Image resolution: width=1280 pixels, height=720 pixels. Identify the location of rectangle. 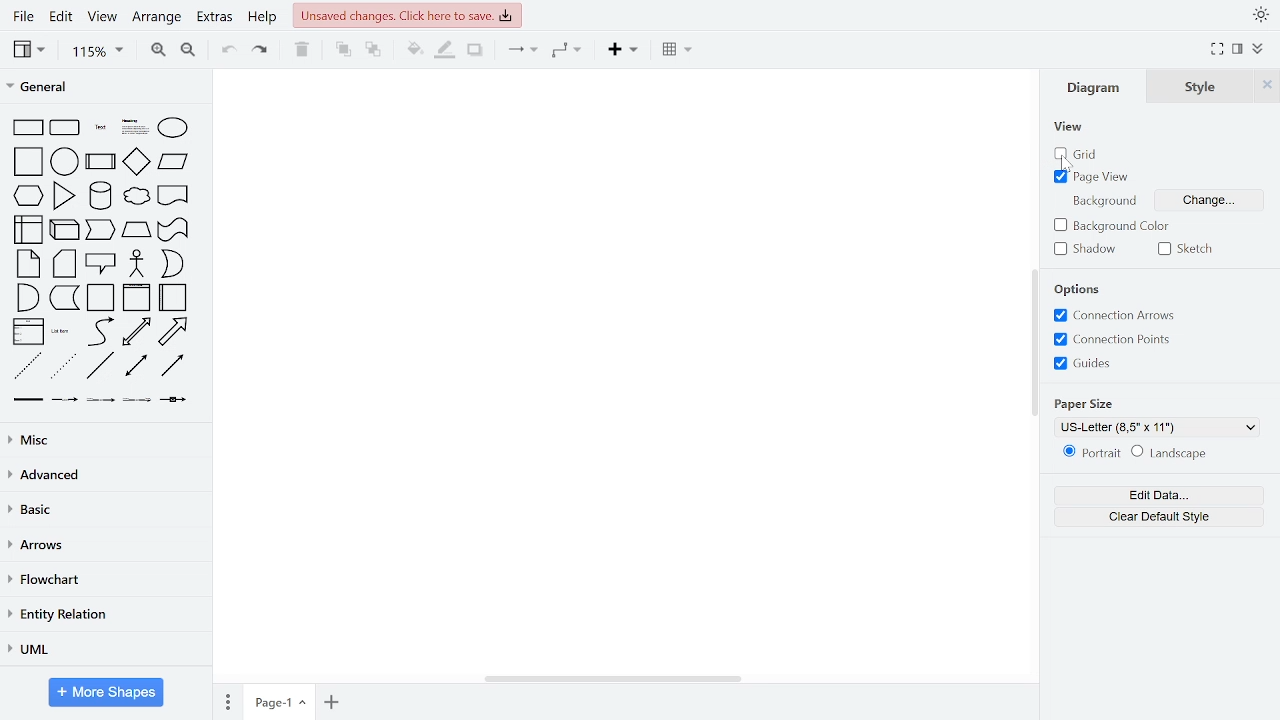
(29, 128).